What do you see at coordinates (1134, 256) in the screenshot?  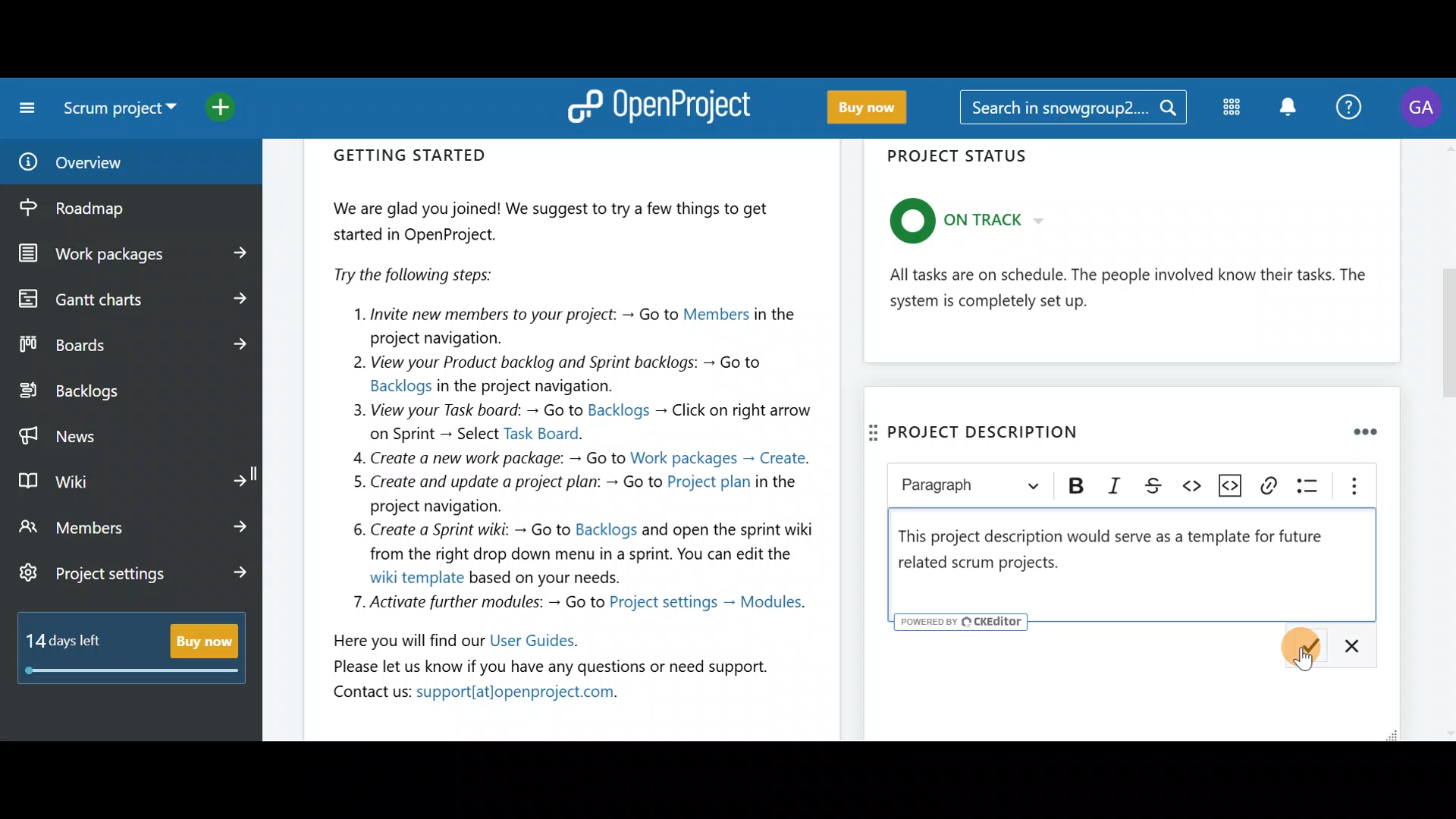 I see `Project status` at bounding box center [1134, 256].